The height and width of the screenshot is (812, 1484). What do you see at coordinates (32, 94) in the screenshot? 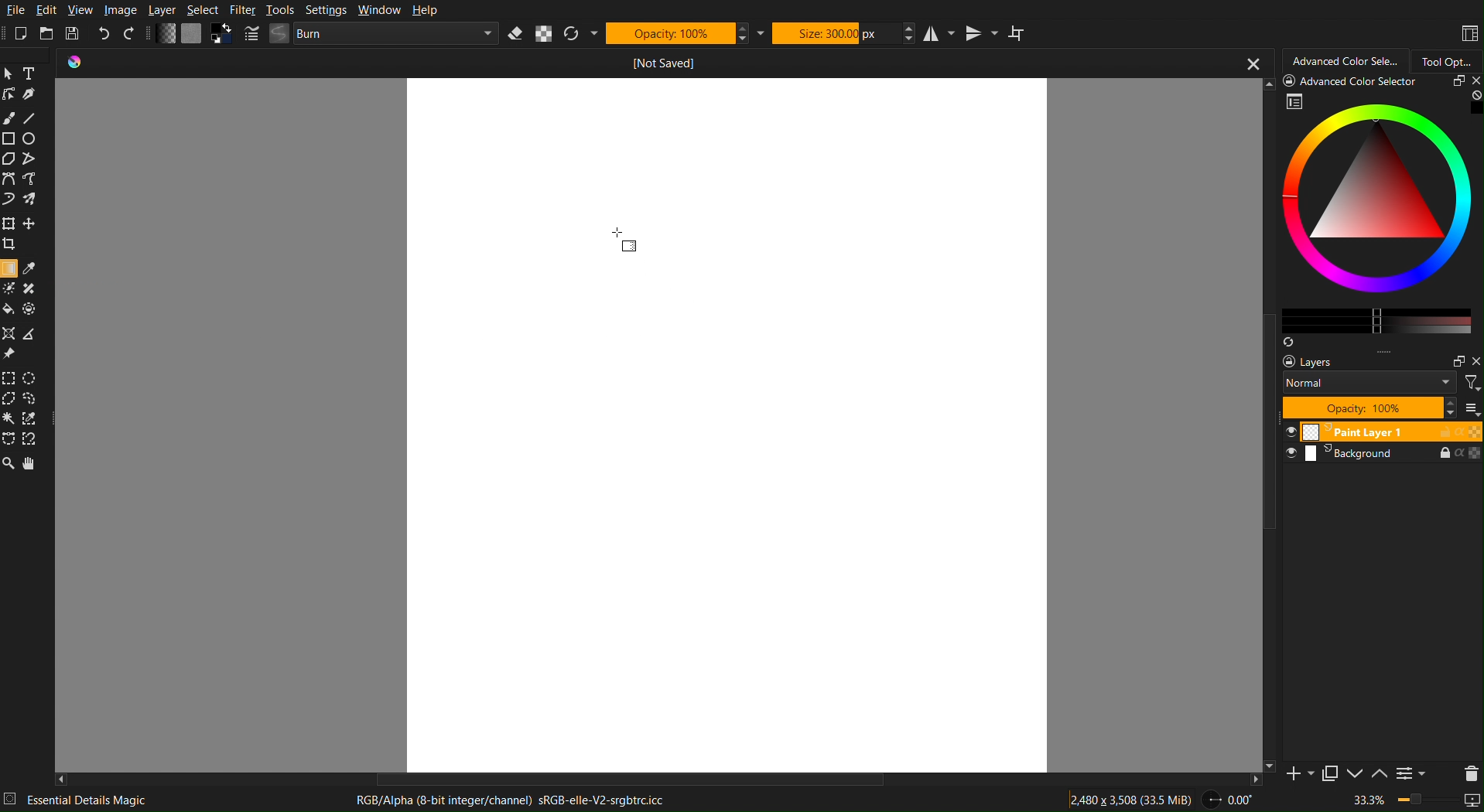
I see `Pen` at bounding box center [32, 94].